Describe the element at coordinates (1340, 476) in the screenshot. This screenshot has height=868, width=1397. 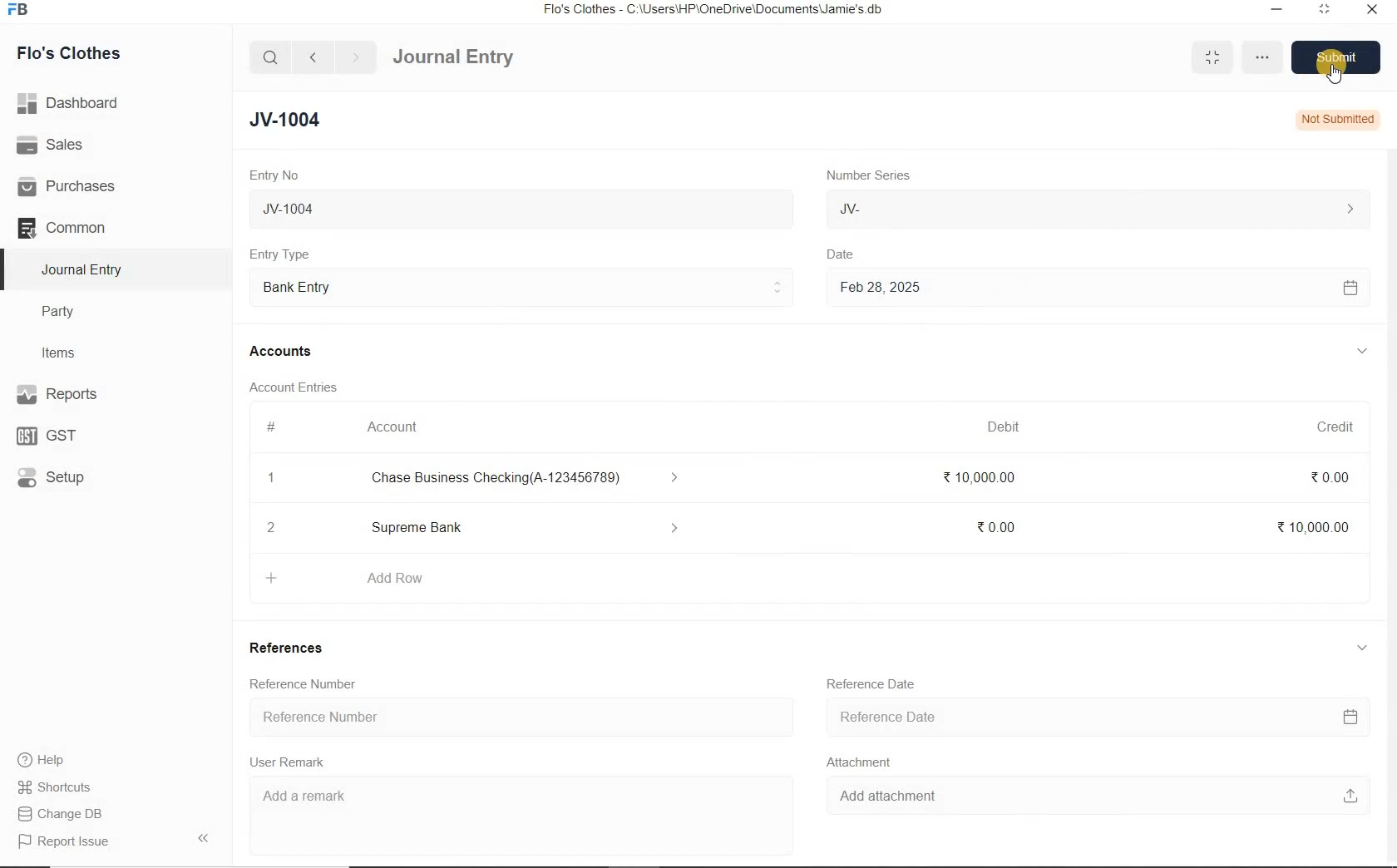
I see `₹0.00` at that location.